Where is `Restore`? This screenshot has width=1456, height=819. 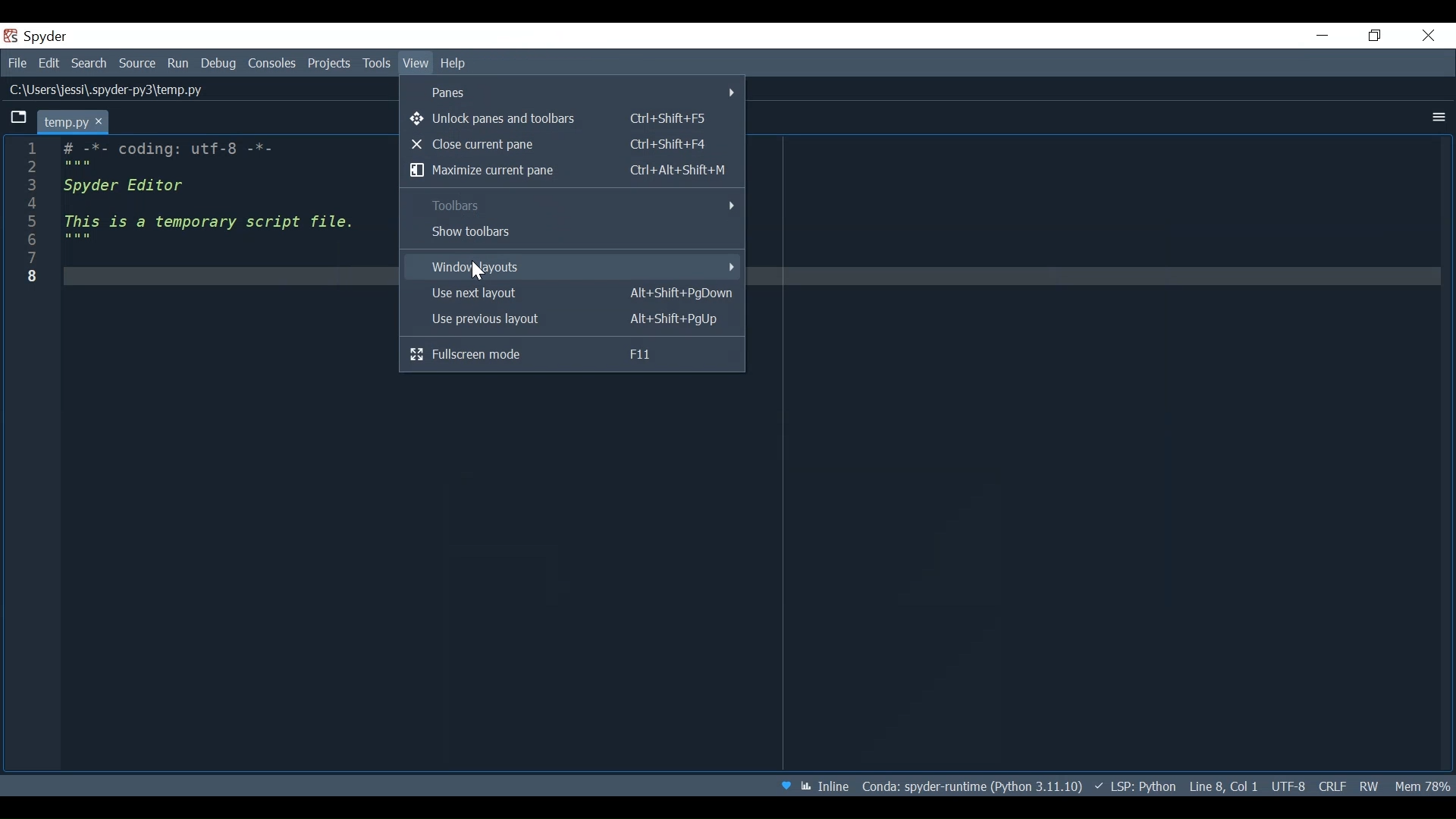 Restore is located at coordinates (1372, 35).